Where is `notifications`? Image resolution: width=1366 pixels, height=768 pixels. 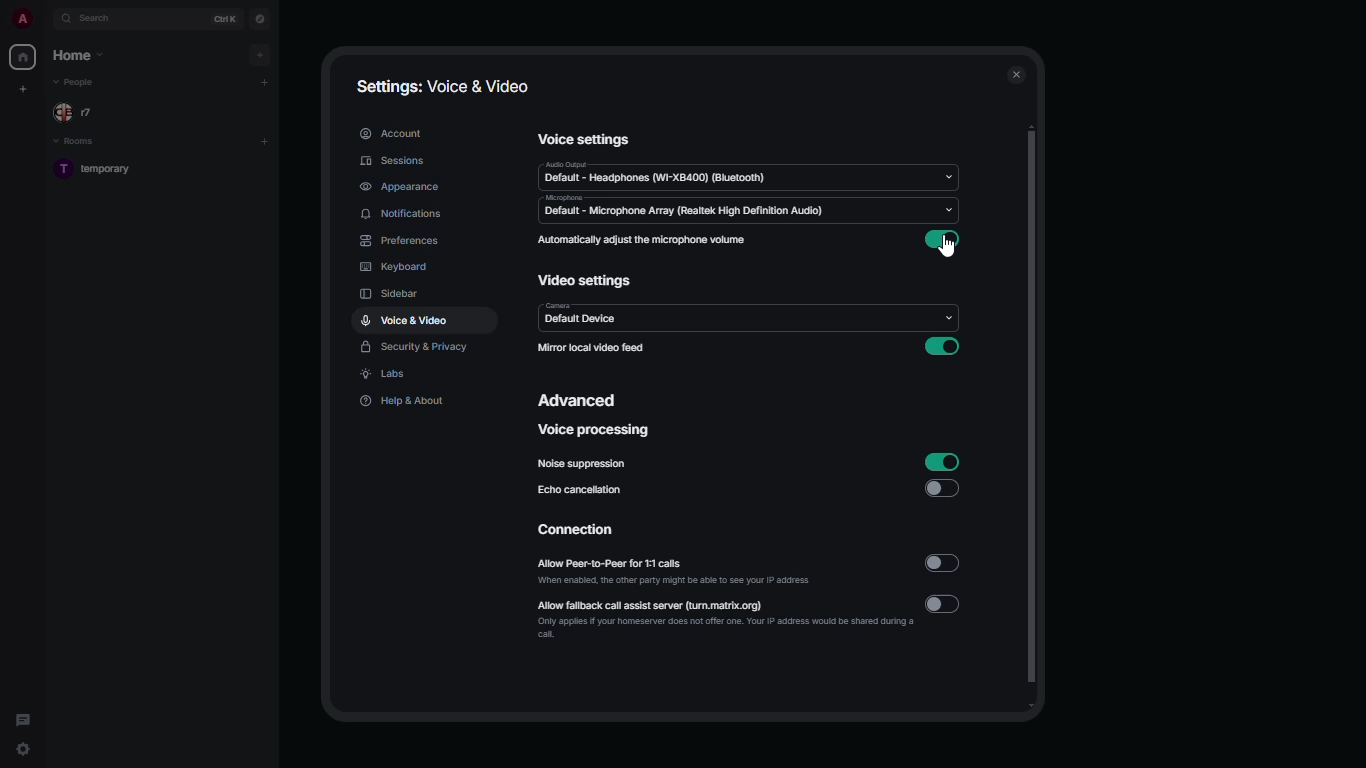 notifications is located at coordinates (404, 214).